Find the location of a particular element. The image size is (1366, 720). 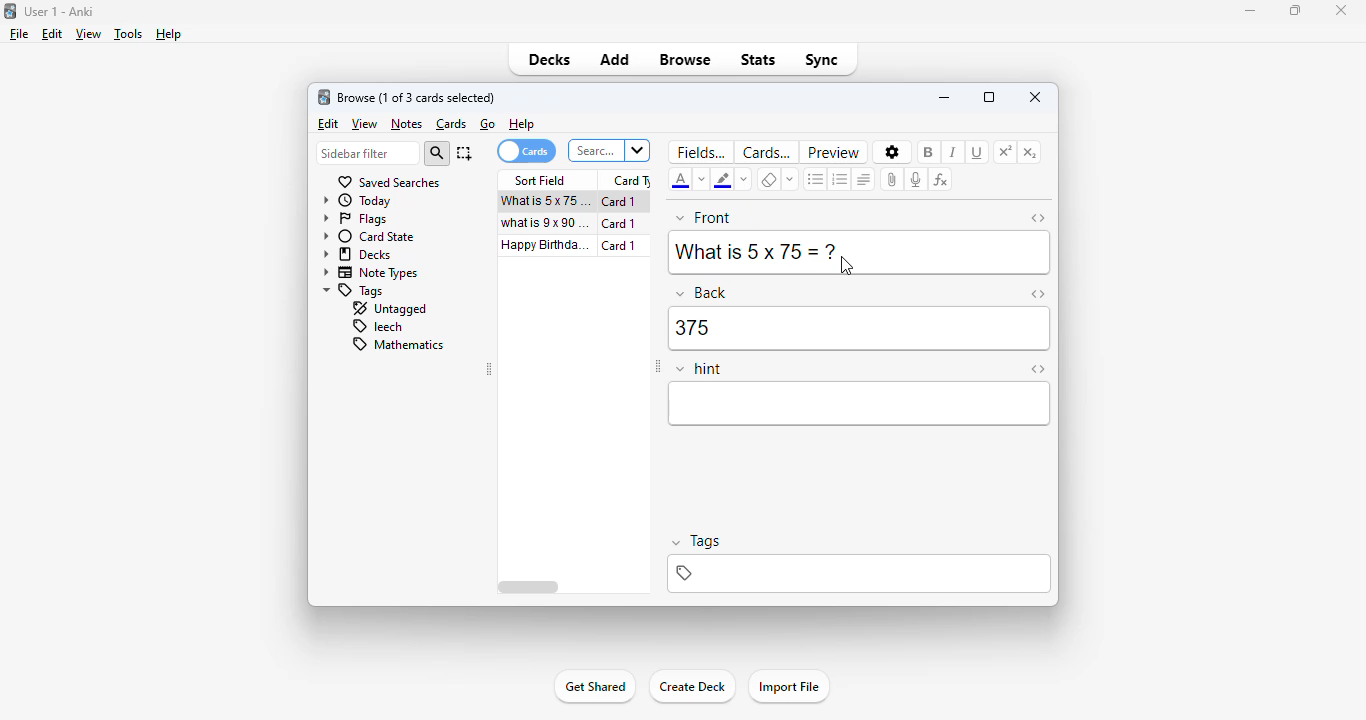

saved searches is located at coordinates (390, 182).